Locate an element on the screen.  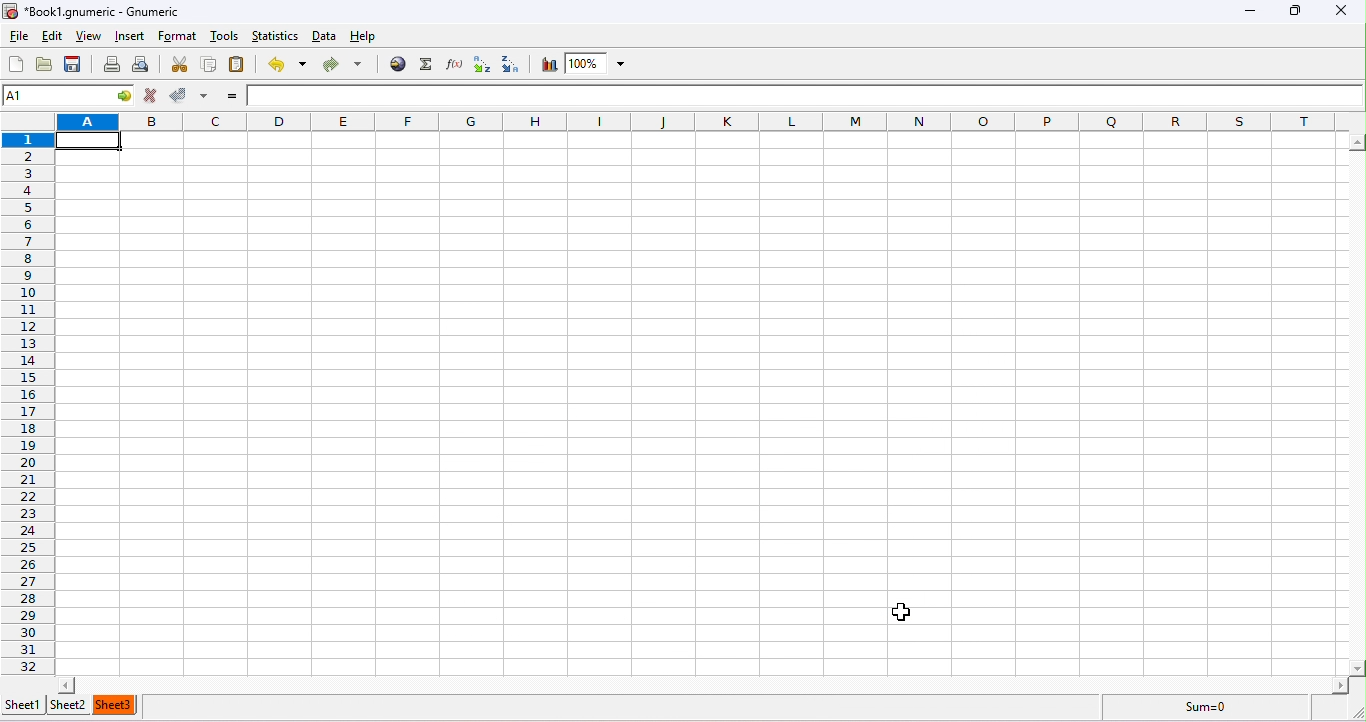
save is located at coordinates (76, 65).